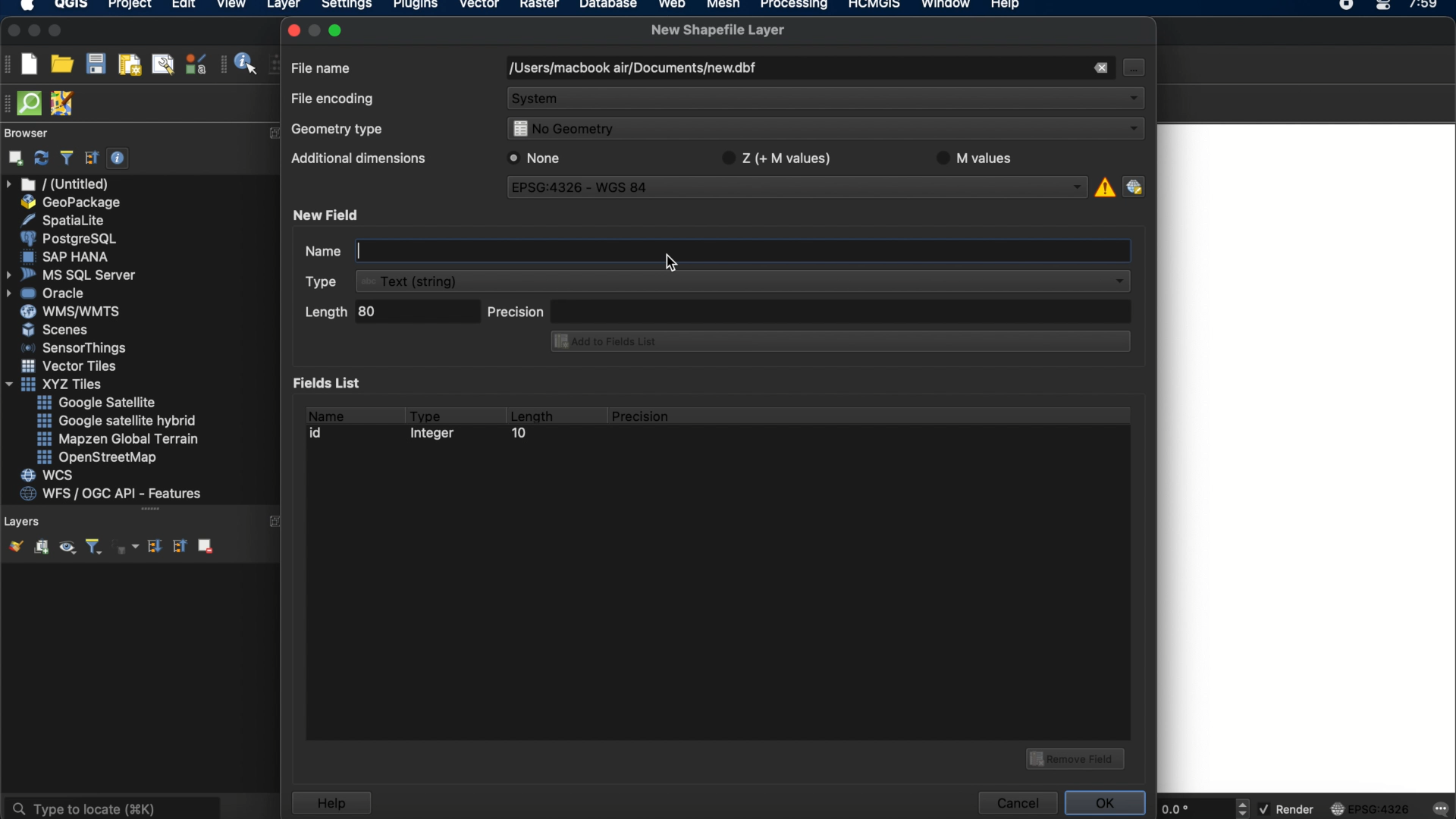 This screenshot has height=819, width=1456. I want to click on type to locate, so click(111, 807).